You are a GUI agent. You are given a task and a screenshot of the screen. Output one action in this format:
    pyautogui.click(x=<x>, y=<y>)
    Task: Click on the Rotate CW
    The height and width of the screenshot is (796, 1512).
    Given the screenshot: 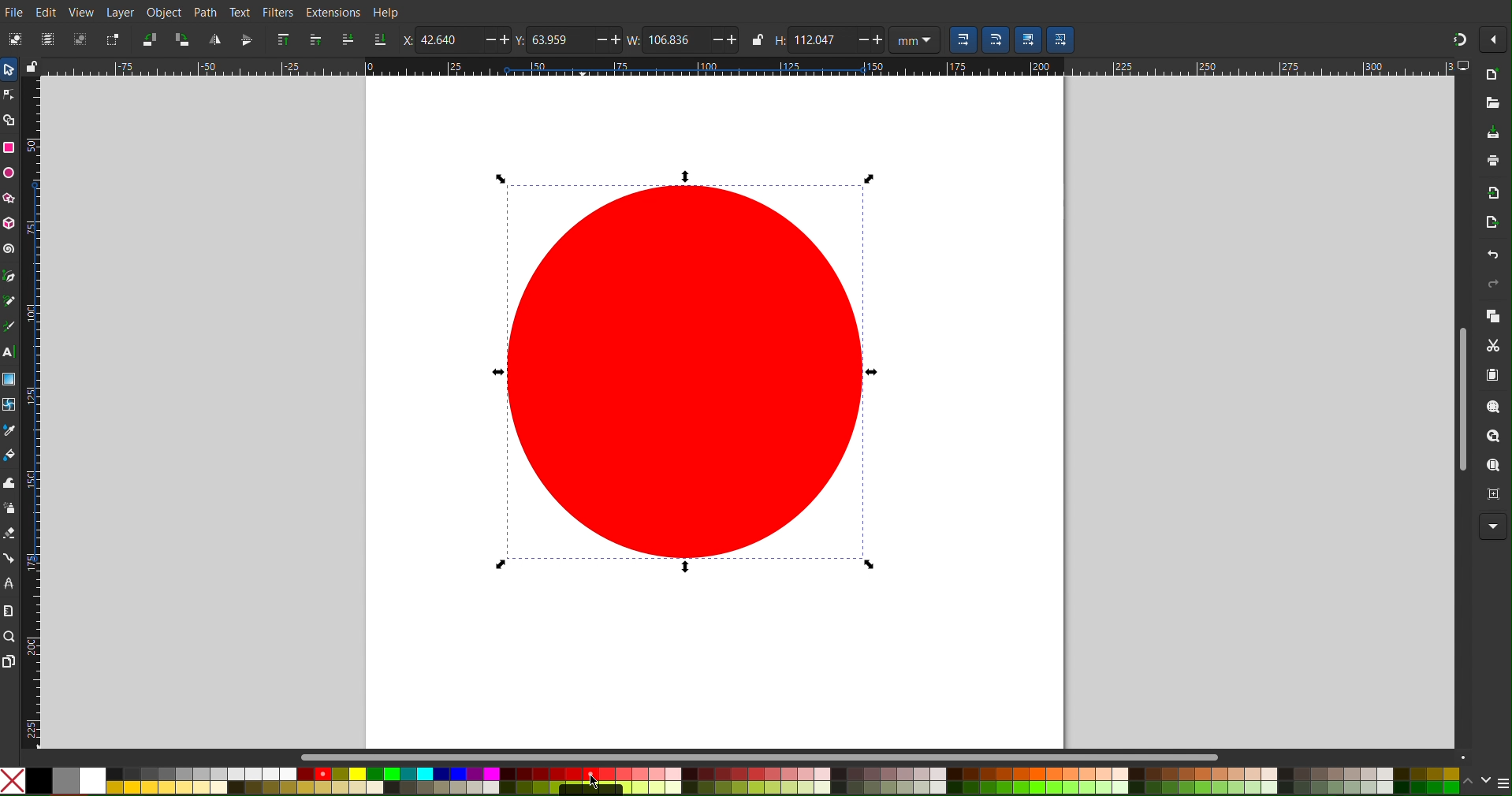 What is the action you would take?
    pyautogui.click(x=184, y=39)
    